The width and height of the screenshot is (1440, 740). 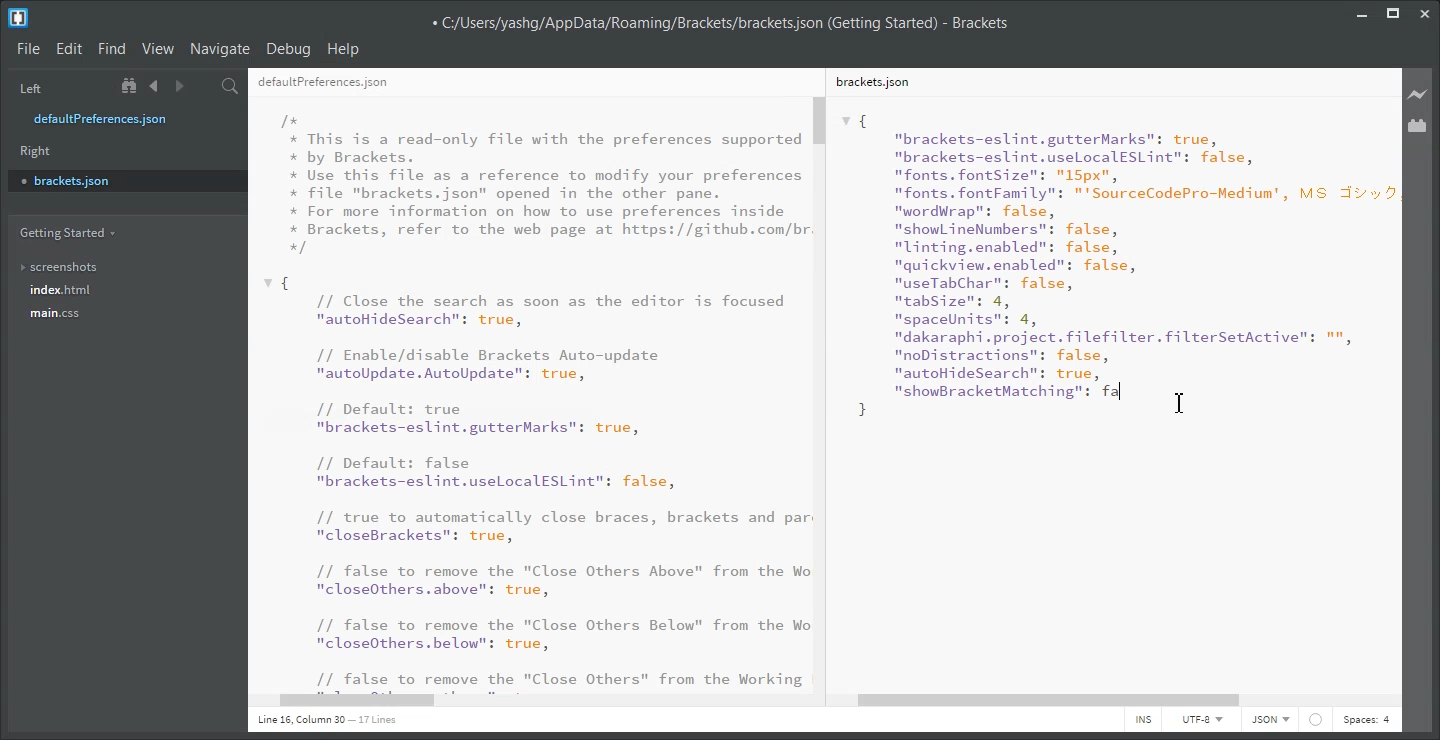 What do you see at coordinates (1366, 720) in the screenshot?
I see `Spaces: 4` at bounding box center [1366, 720].